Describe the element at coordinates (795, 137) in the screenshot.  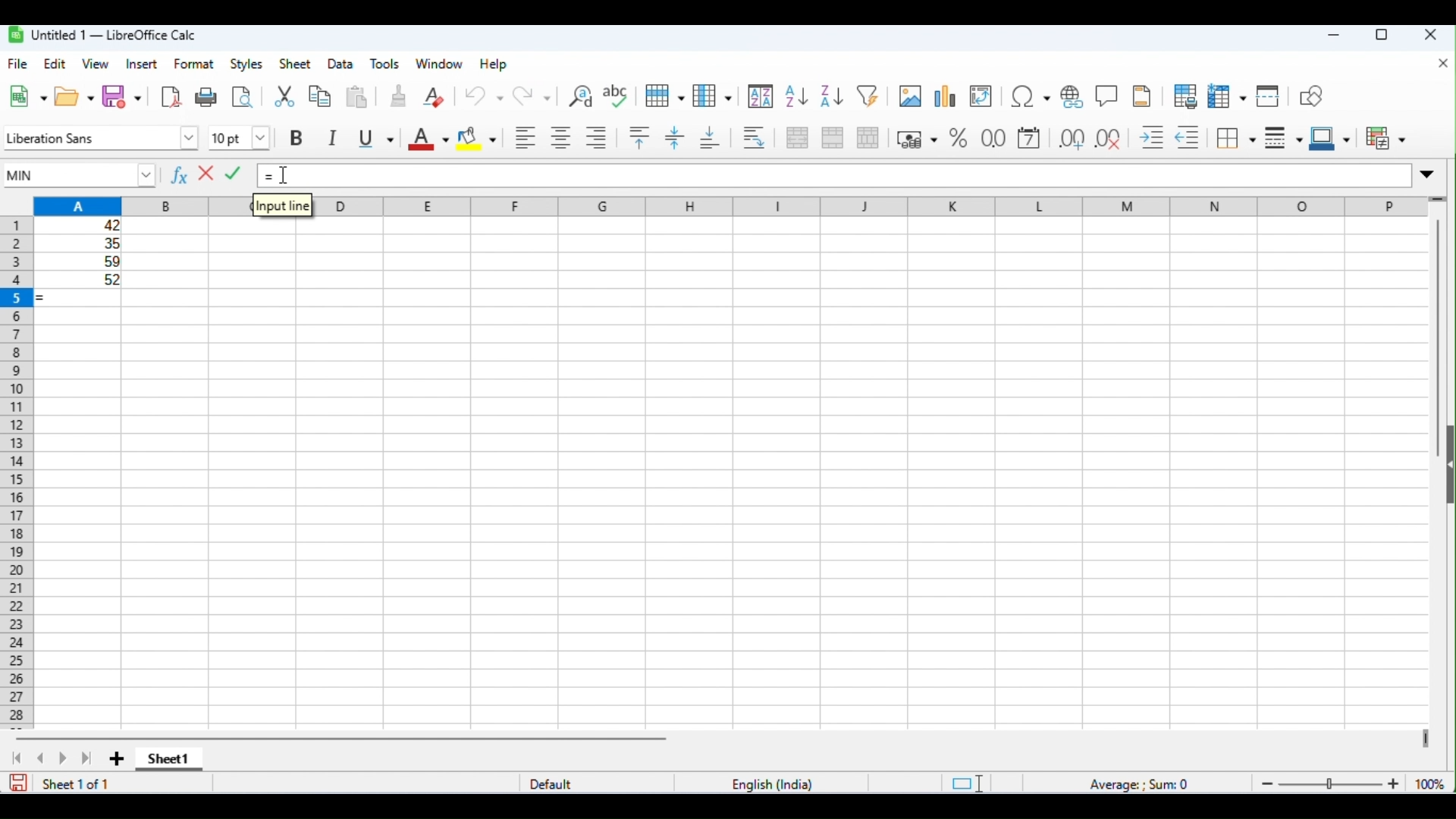
I see `merge and center` at that location.